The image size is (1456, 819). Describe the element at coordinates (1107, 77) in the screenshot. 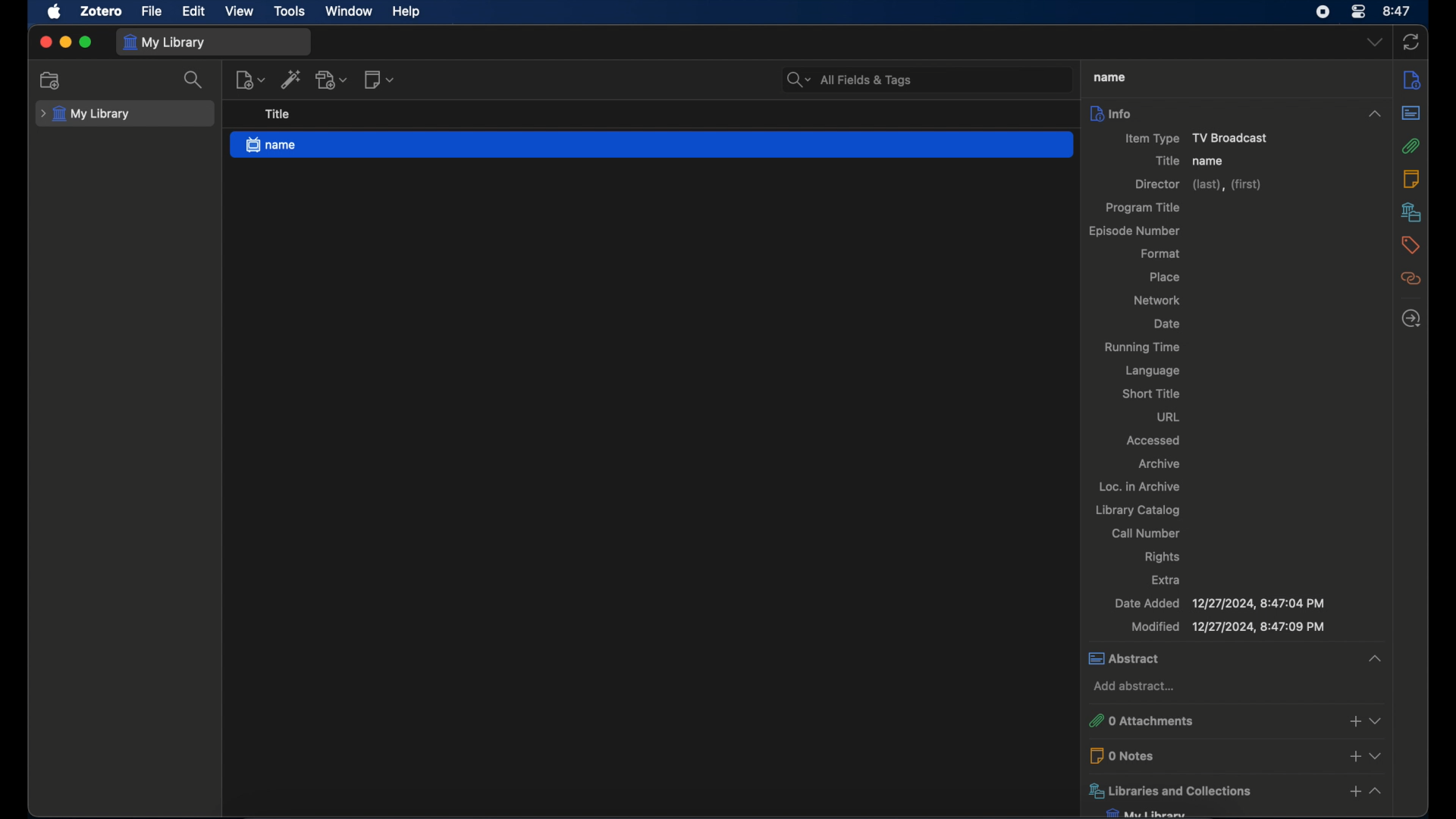

I see `title` at that location.